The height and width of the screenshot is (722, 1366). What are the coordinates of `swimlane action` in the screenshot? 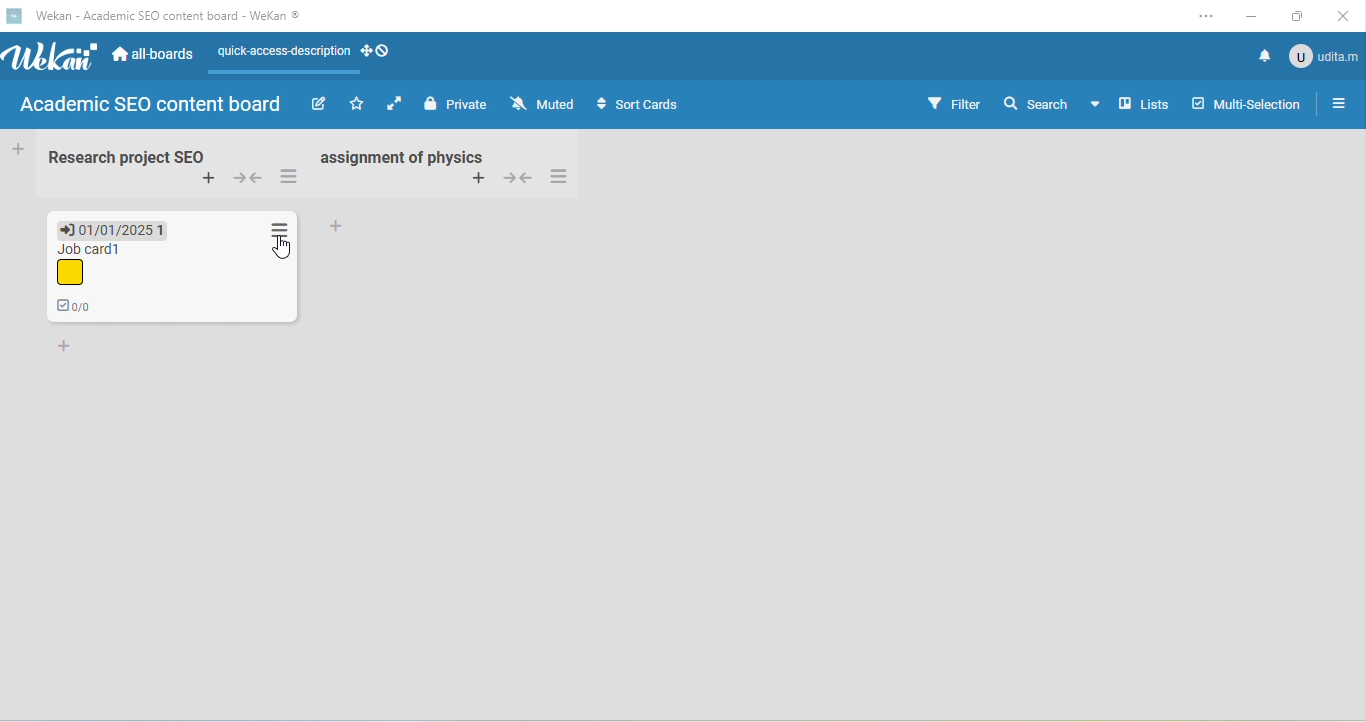 It's located at (290, 178).